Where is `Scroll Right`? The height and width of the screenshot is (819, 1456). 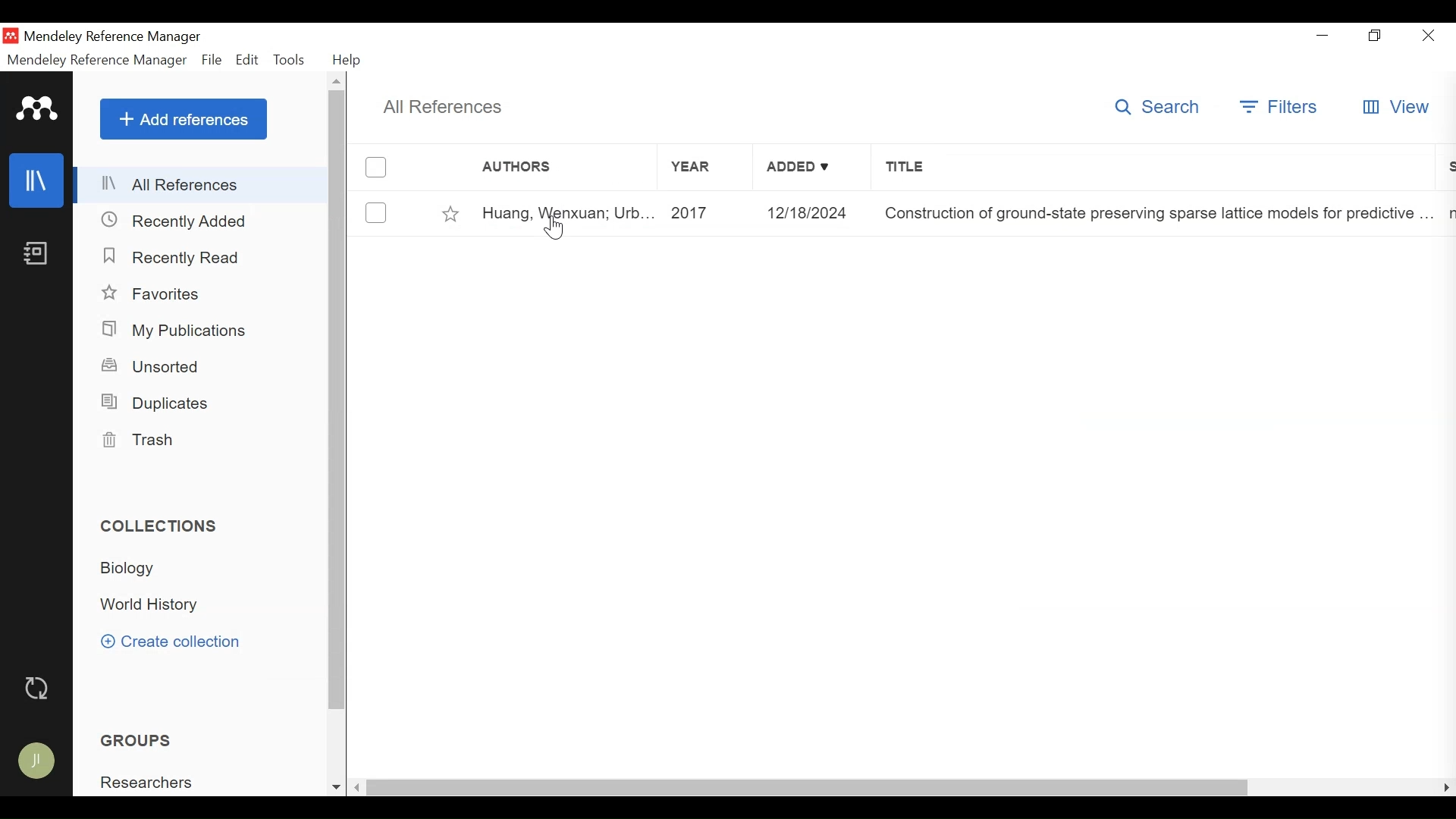 Scroll Right is located at coordinates (1447, 789).